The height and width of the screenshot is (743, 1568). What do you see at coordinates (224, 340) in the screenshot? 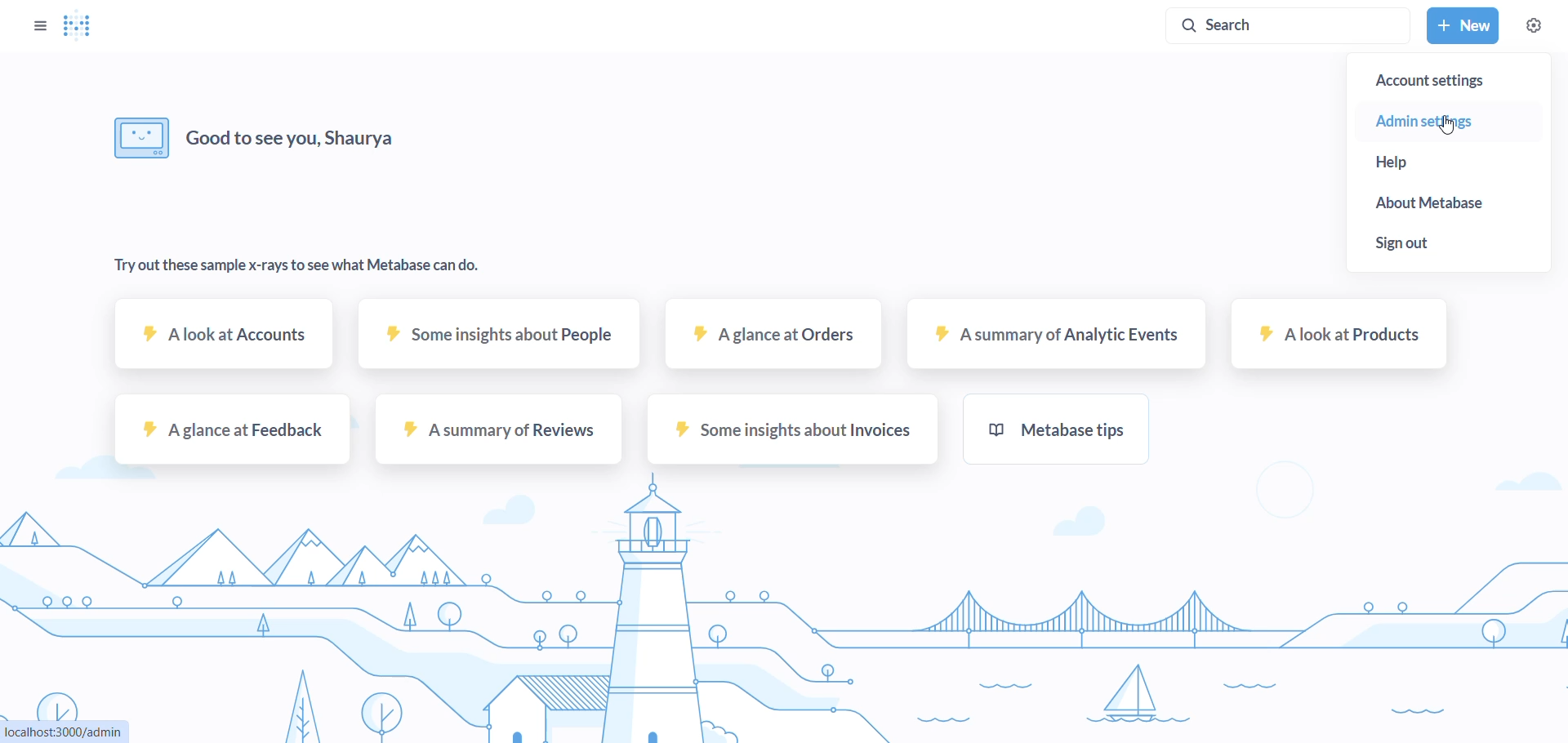
I see `A Look at accounts` at bounding box center [224, 340].